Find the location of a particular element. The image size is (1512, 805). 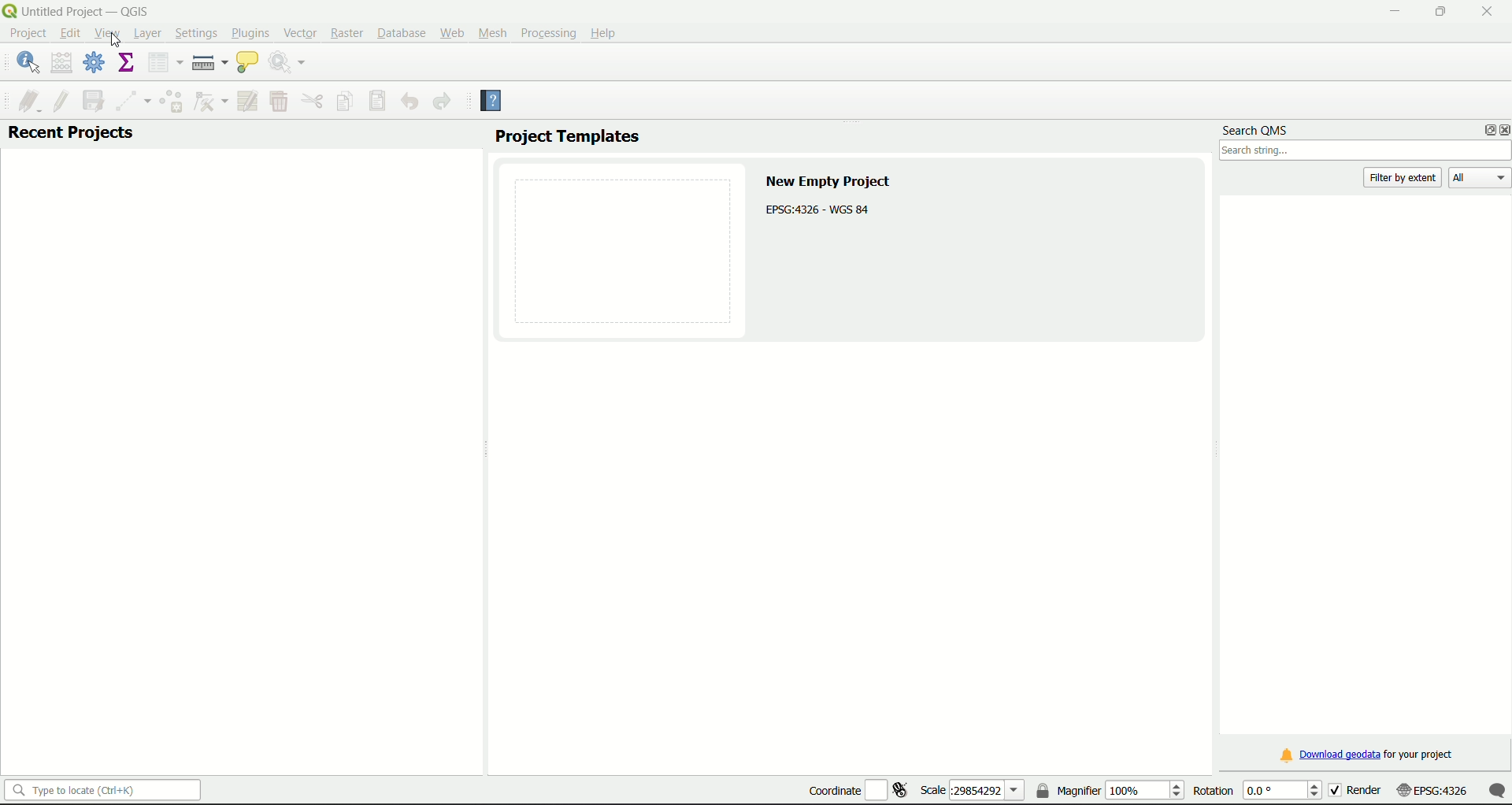

run feature action is located at coordinates (289, 62).